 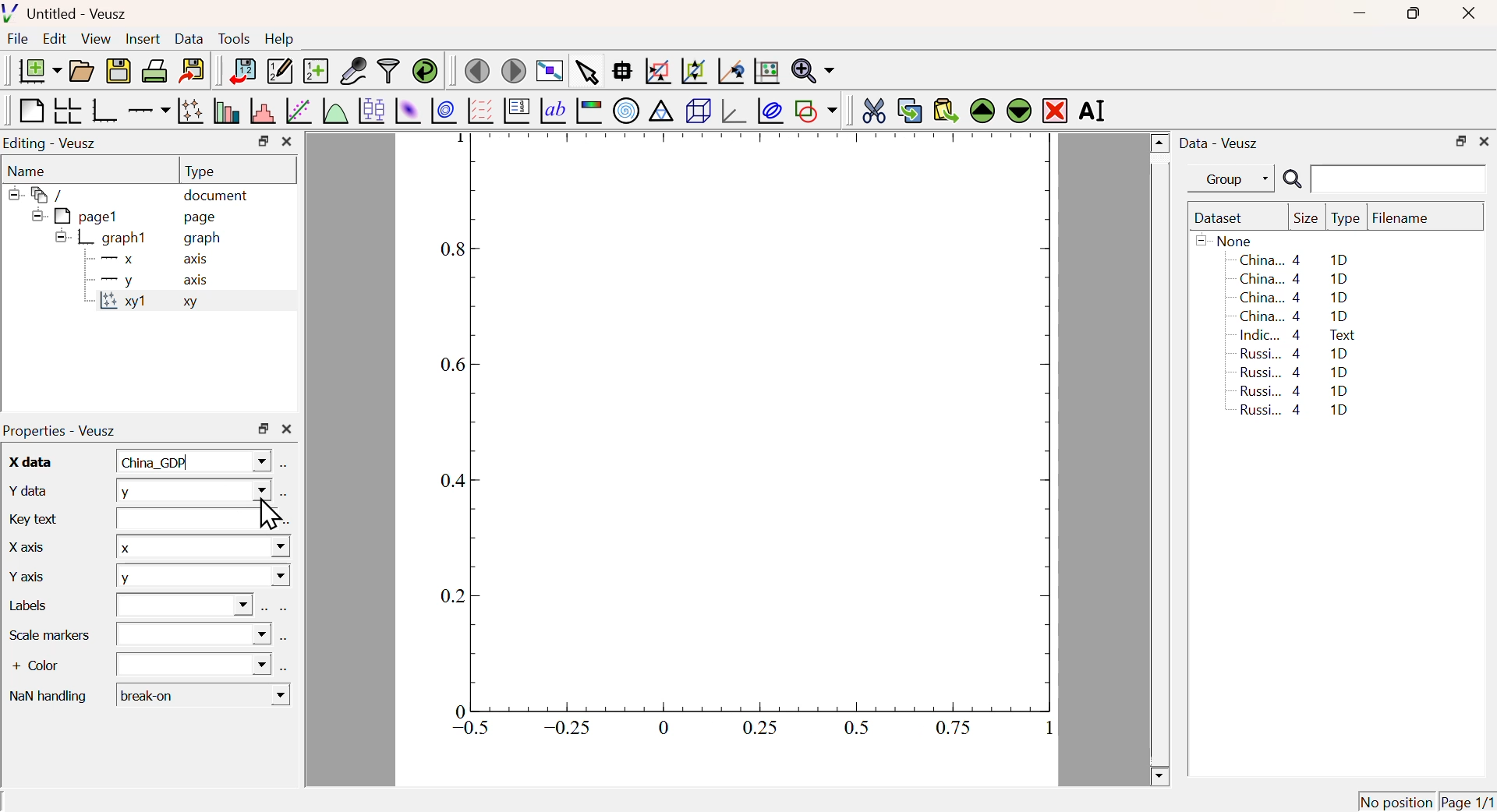 I want to click on 3D Scene, so click(x=698, y=111).